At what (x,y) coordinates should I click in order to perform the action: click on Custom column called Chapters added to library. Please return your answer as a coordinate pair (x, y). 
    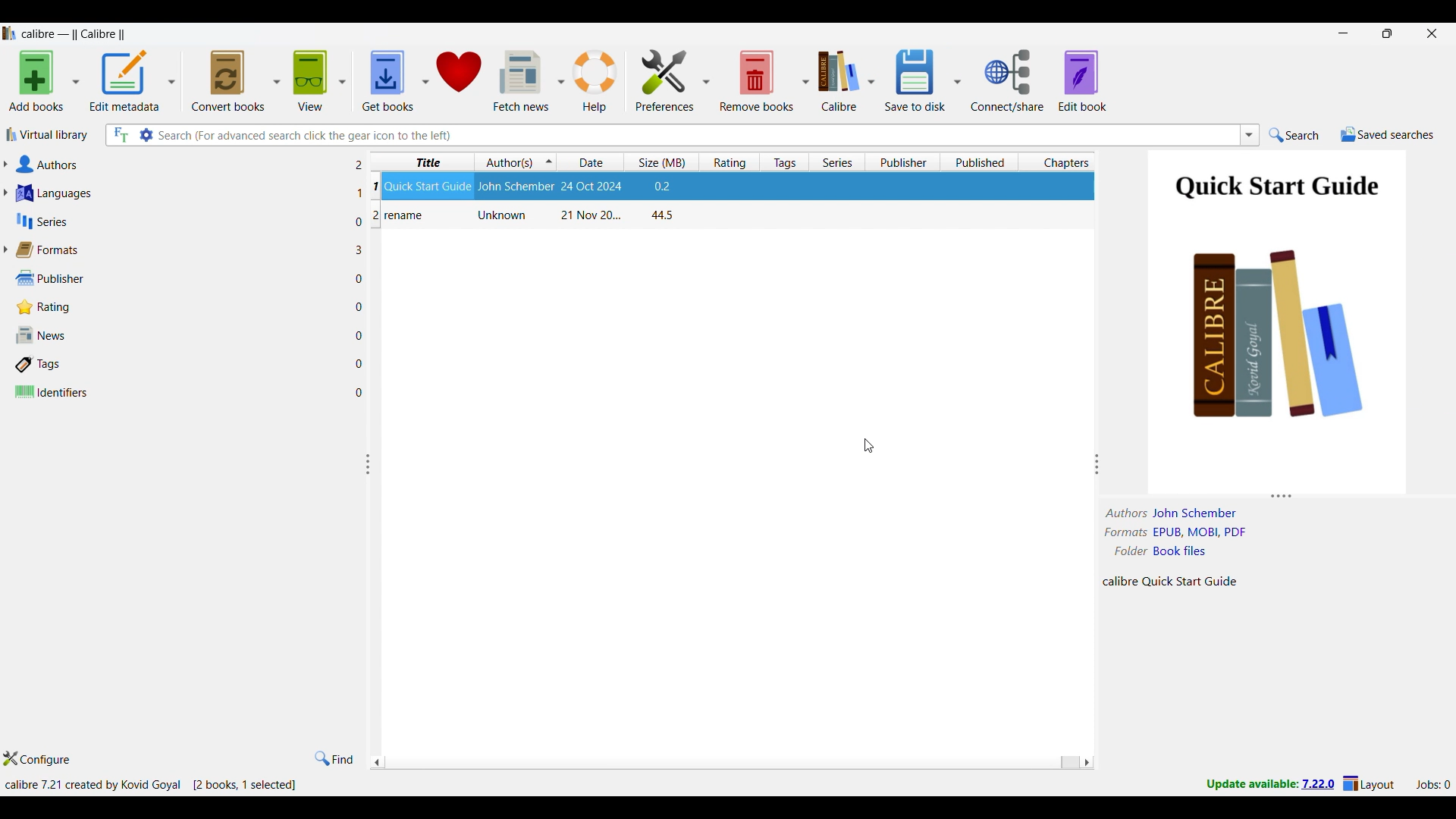
    Looking at the image, I should click on (1057, 162).